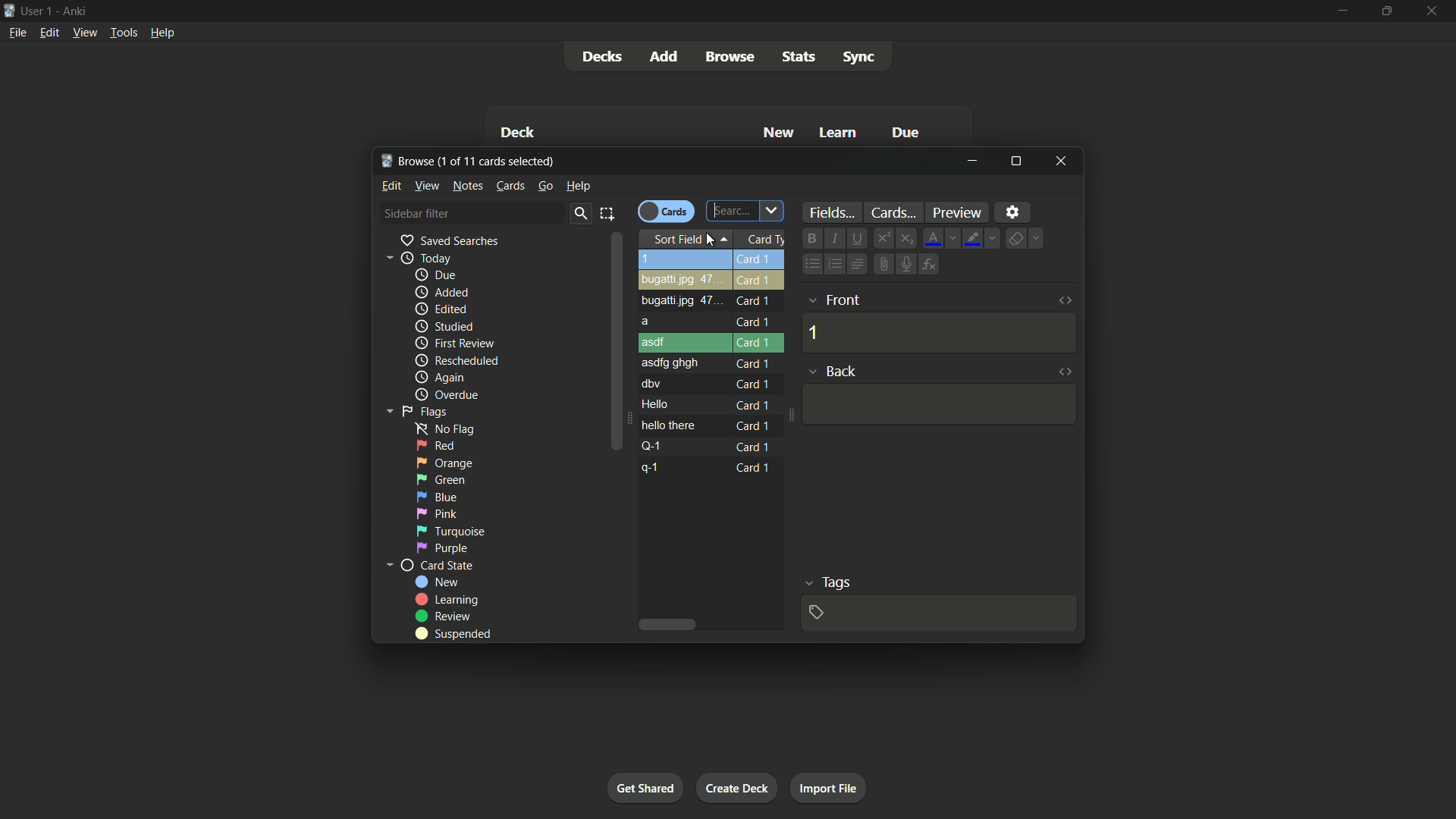  I want to click on sort field, so click(674, 240).